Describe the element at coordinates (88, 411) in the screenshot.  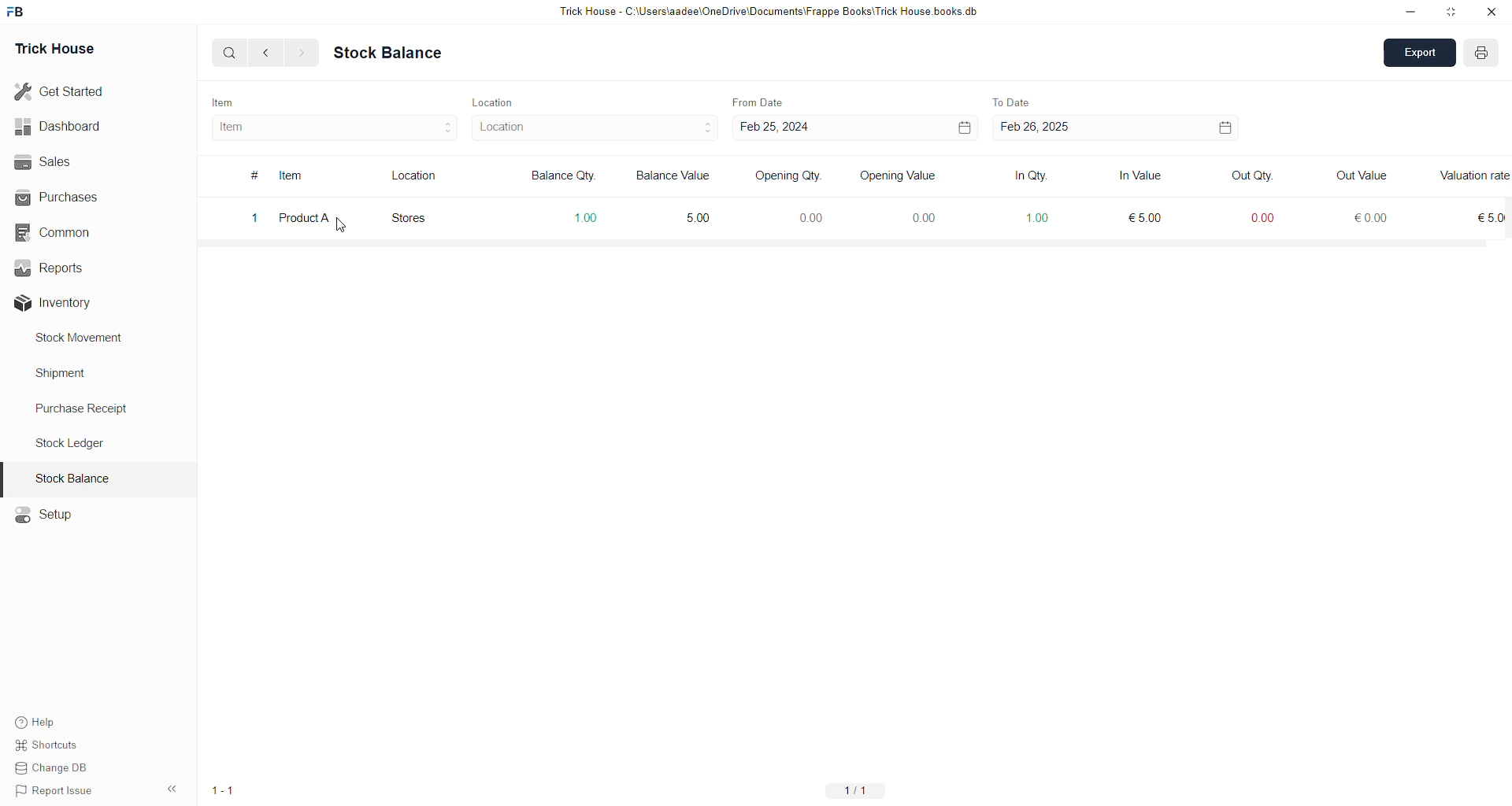
I see `Purchase Receipt` at that location.